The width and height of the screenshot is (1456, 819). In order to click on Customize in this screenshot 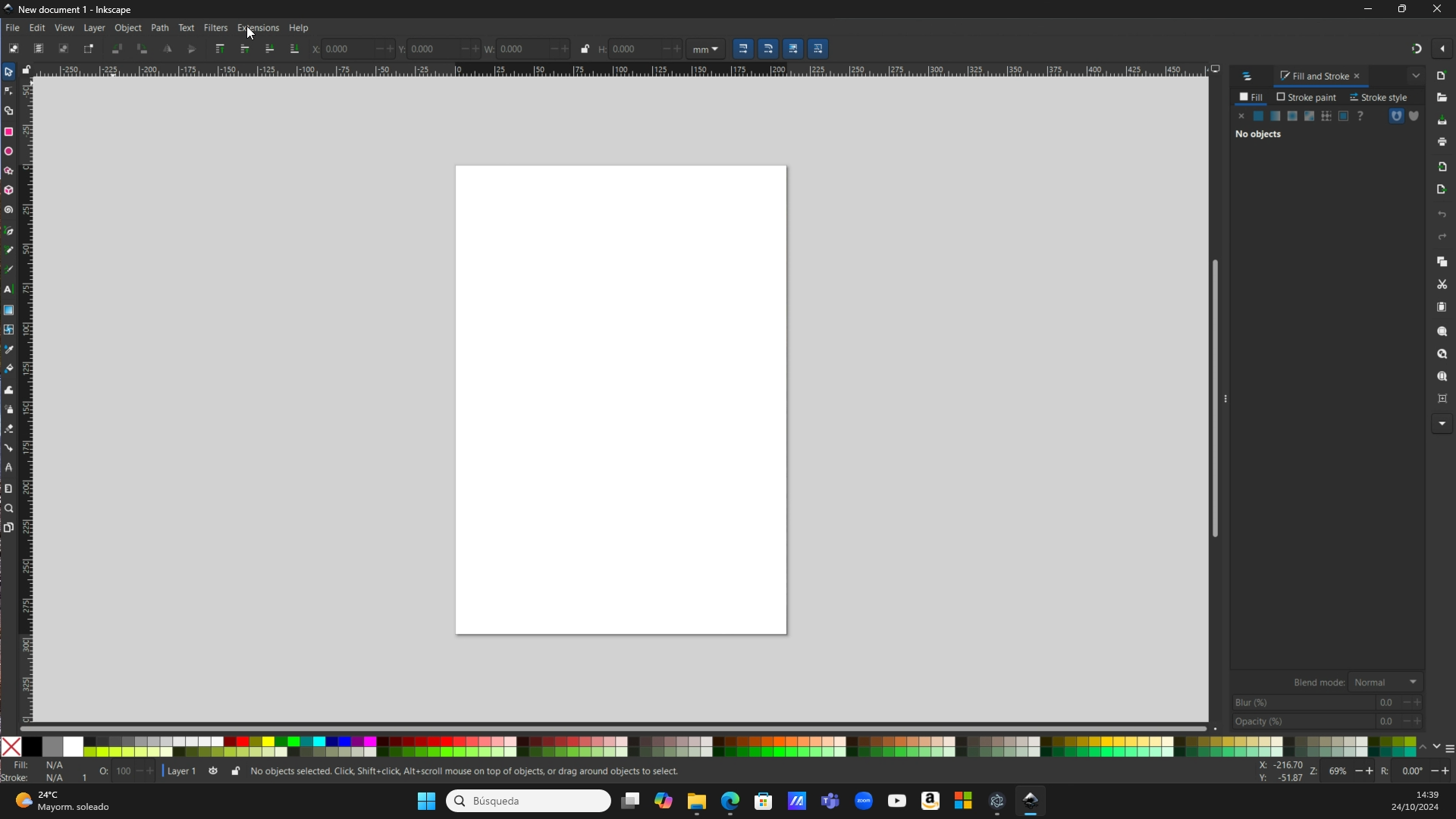, I will do `click(1404, 119)`.